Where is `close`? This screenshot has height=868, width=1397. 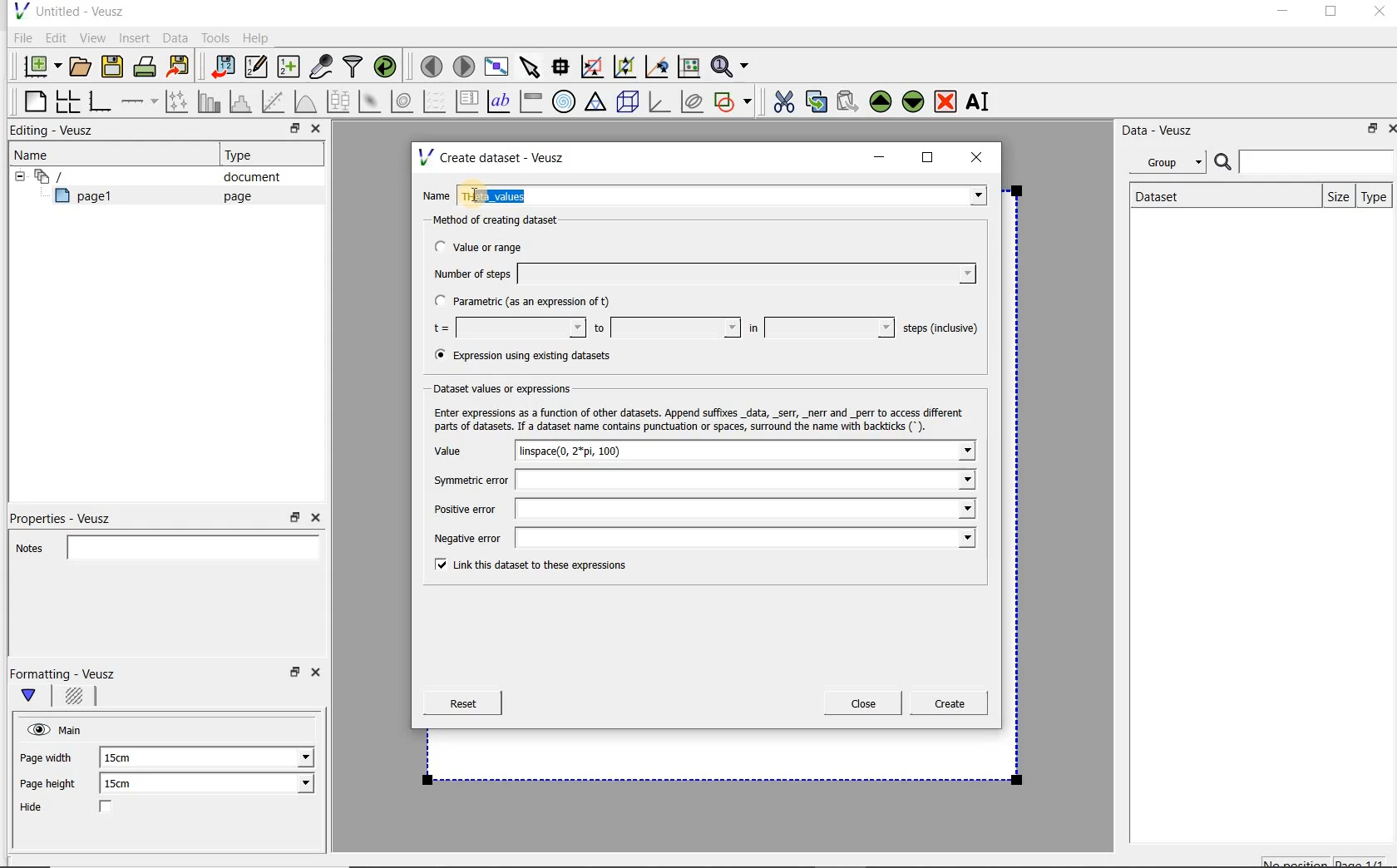
close is located at coordinates (982, 156).